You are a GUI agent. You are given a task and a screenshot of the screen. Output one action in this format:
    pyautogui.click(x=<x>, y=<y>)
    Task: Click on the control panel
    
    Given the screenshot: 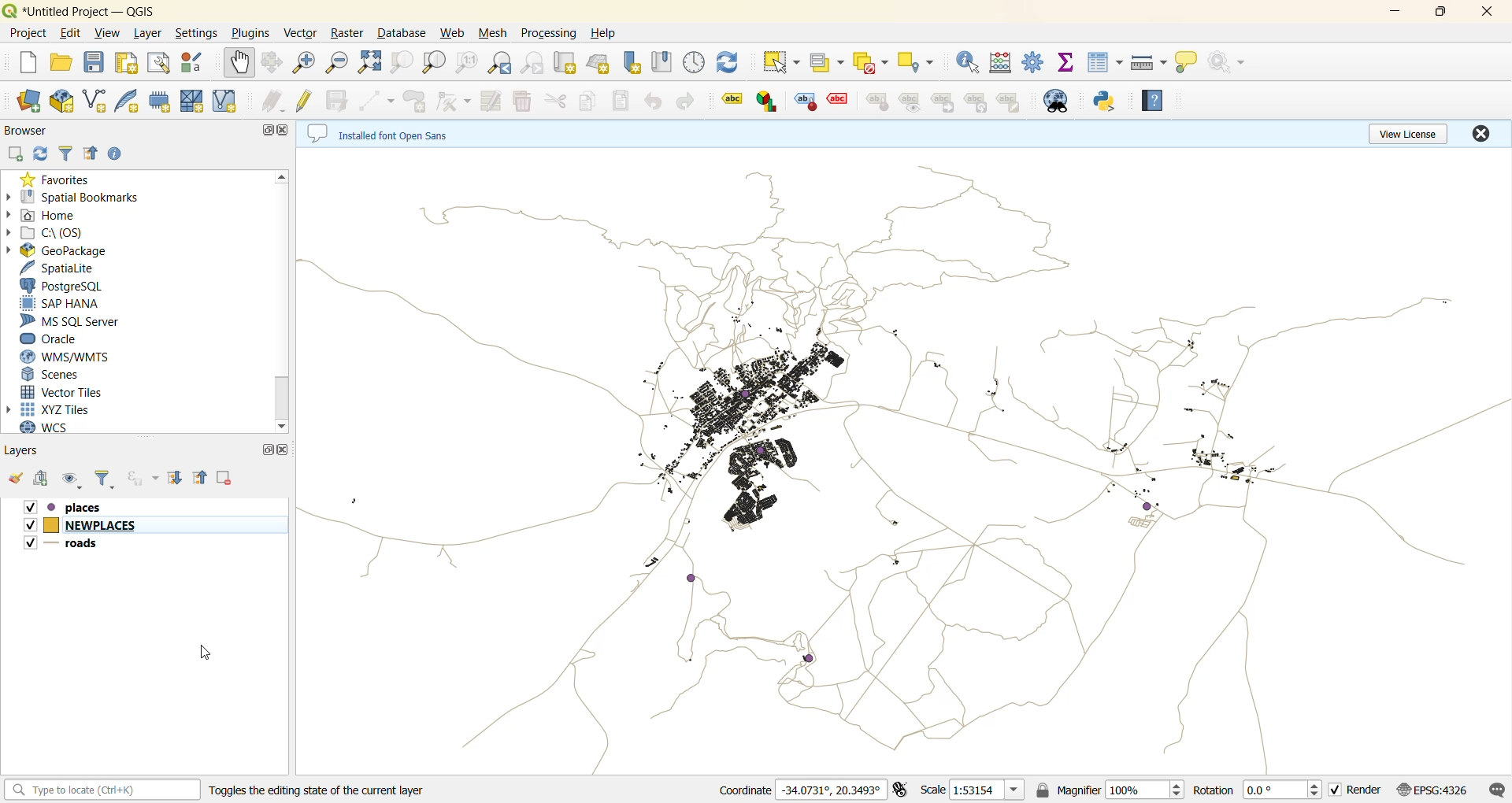 What is the action you would take?
    pyautogui.click(x=695, y=64)
    